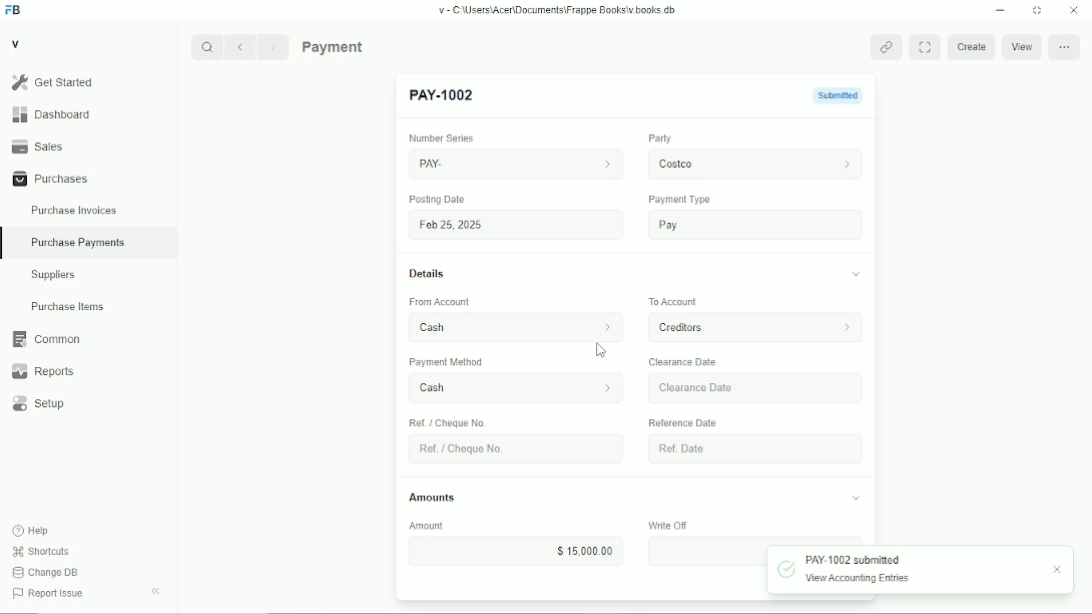  What do you see at coordinates (438, 303) in the screenshot?
I see `‘From Account` at bounding box center [438, 303].